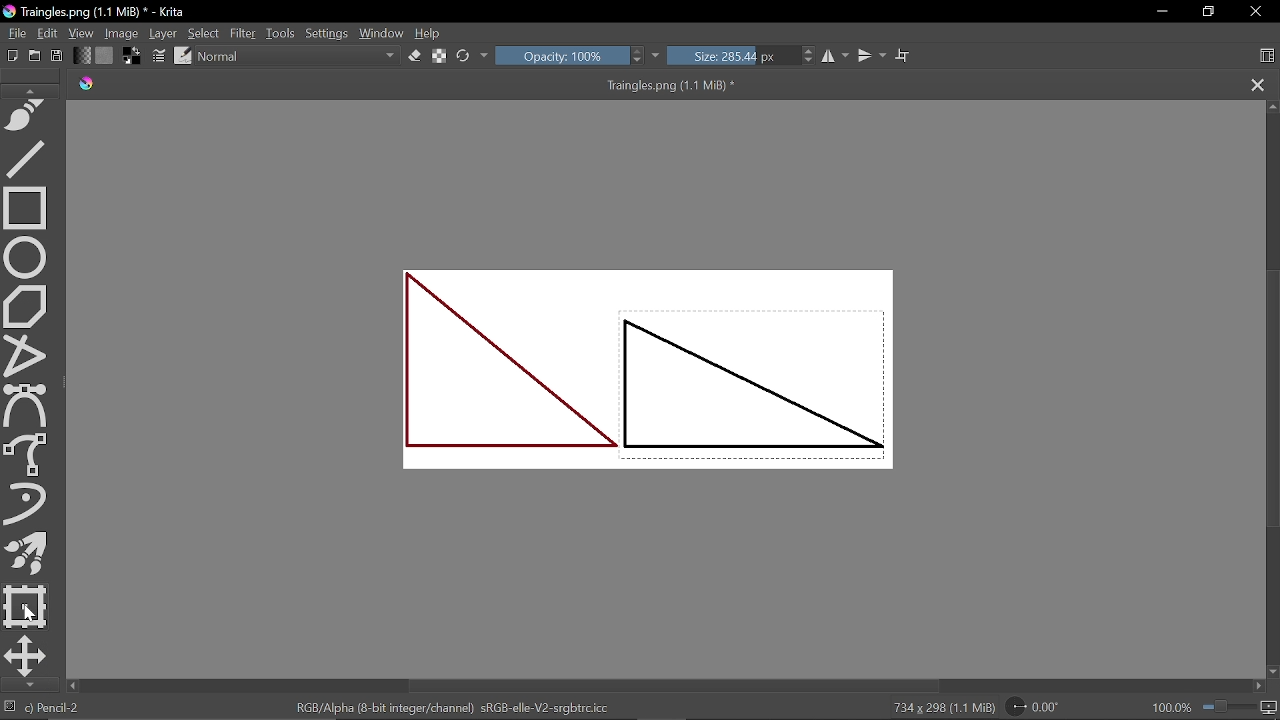 The height and width of the screenshot is (720, 1280). What do you see at coordinates (26, 656) in the screenshot?
I see `Move a layer` at bounding box center [26, 656].